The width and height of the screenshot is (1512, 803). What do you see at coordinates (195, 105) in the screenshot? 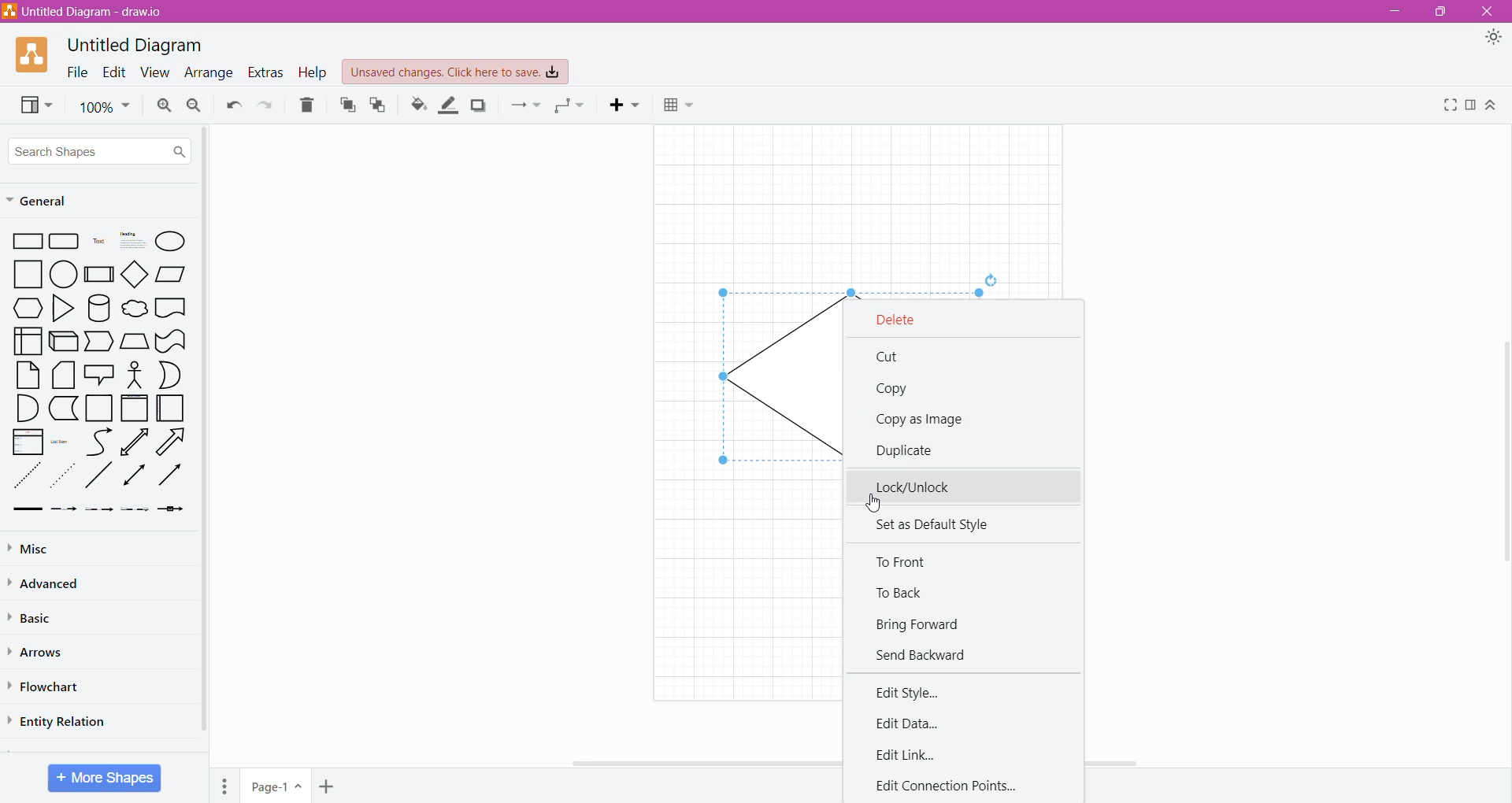
I see `Zoom Out` at bounding box center [195, 105].